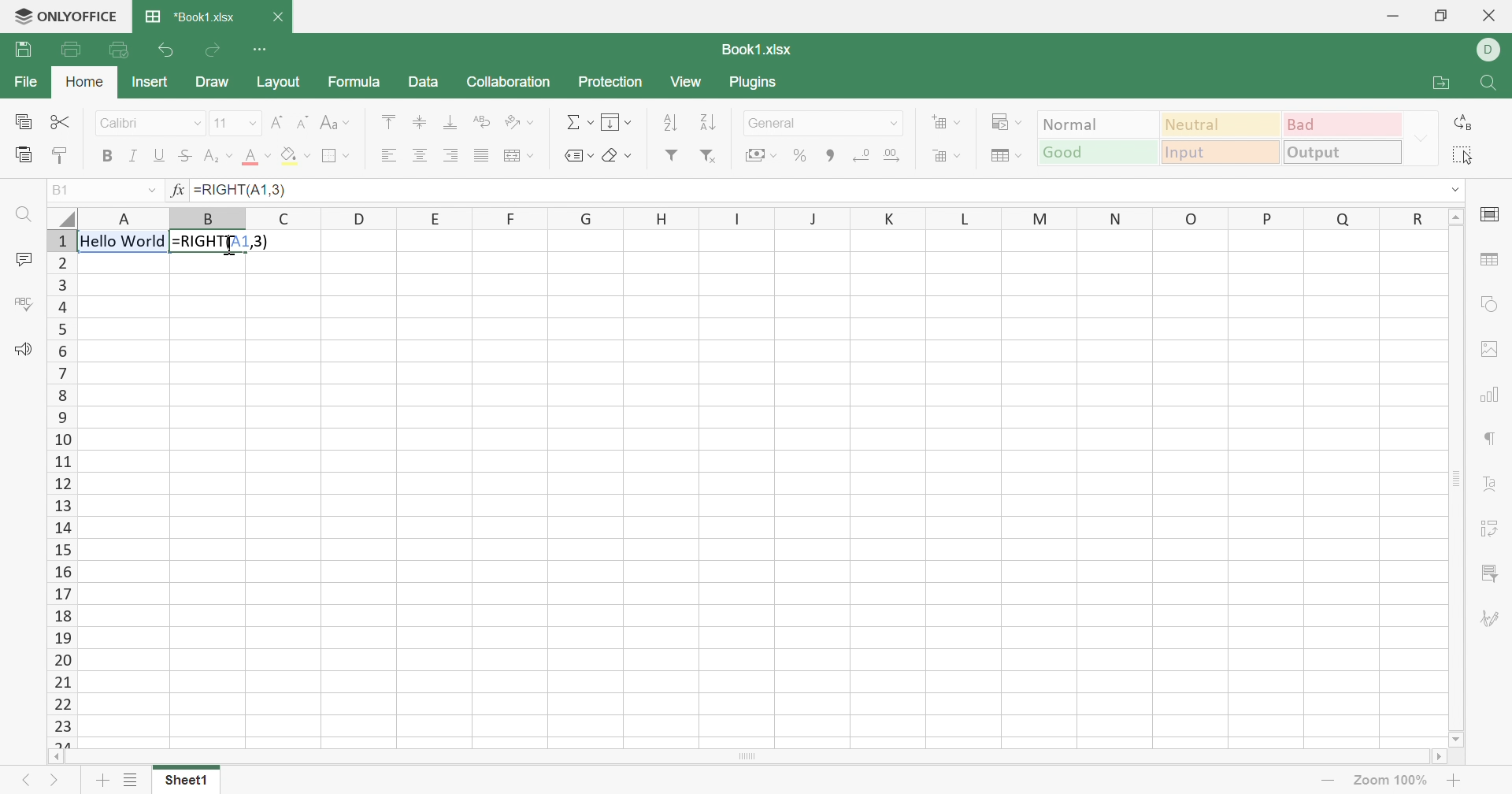 This screenshot has height=794, width=1512. Describe the element at coordinates (24, 217) in the screenshot. I see `Find` at that location.